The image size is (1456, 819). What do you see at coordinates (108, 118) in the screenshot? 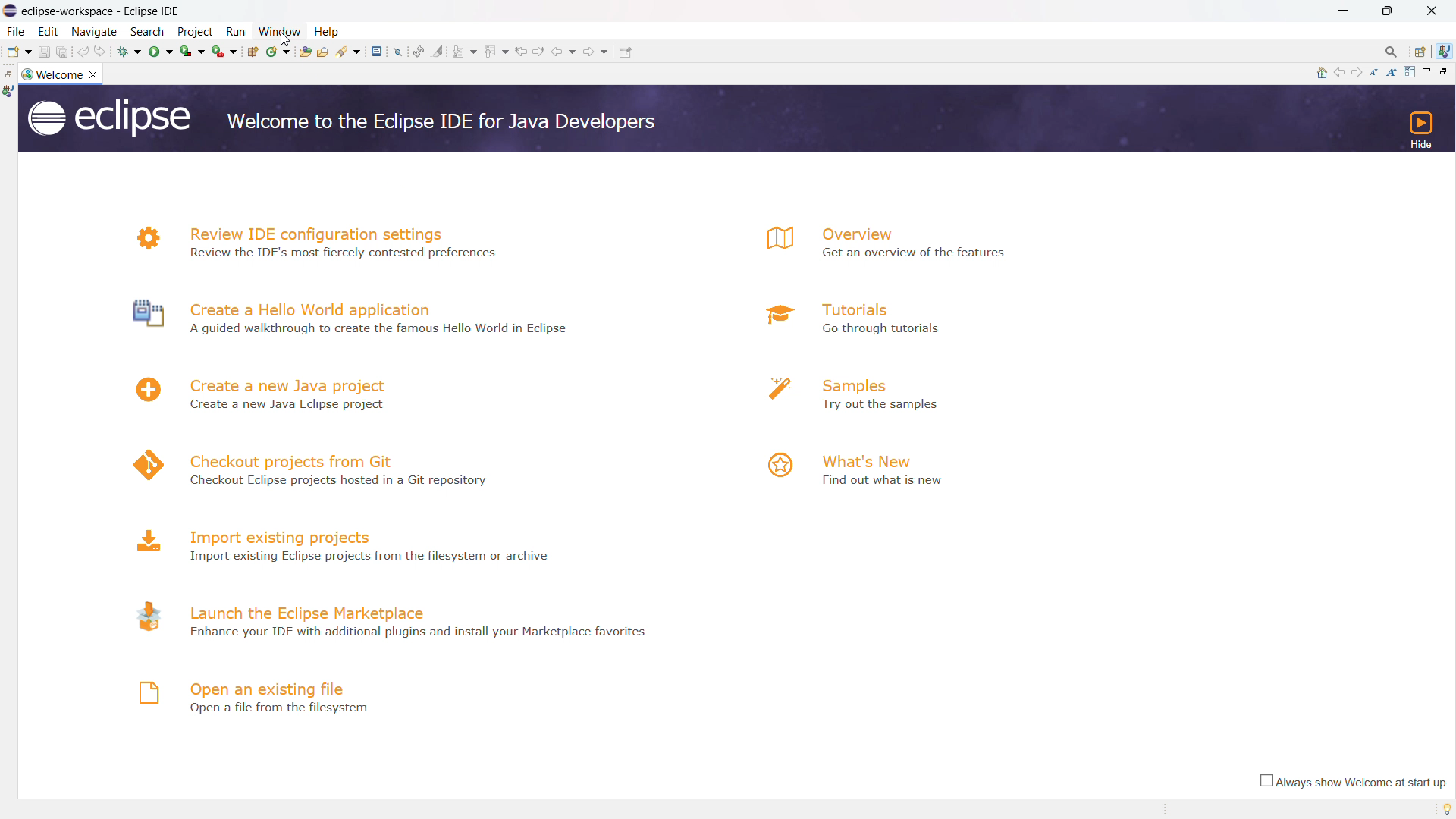
I see `logo` at bounding box center [108, 118].